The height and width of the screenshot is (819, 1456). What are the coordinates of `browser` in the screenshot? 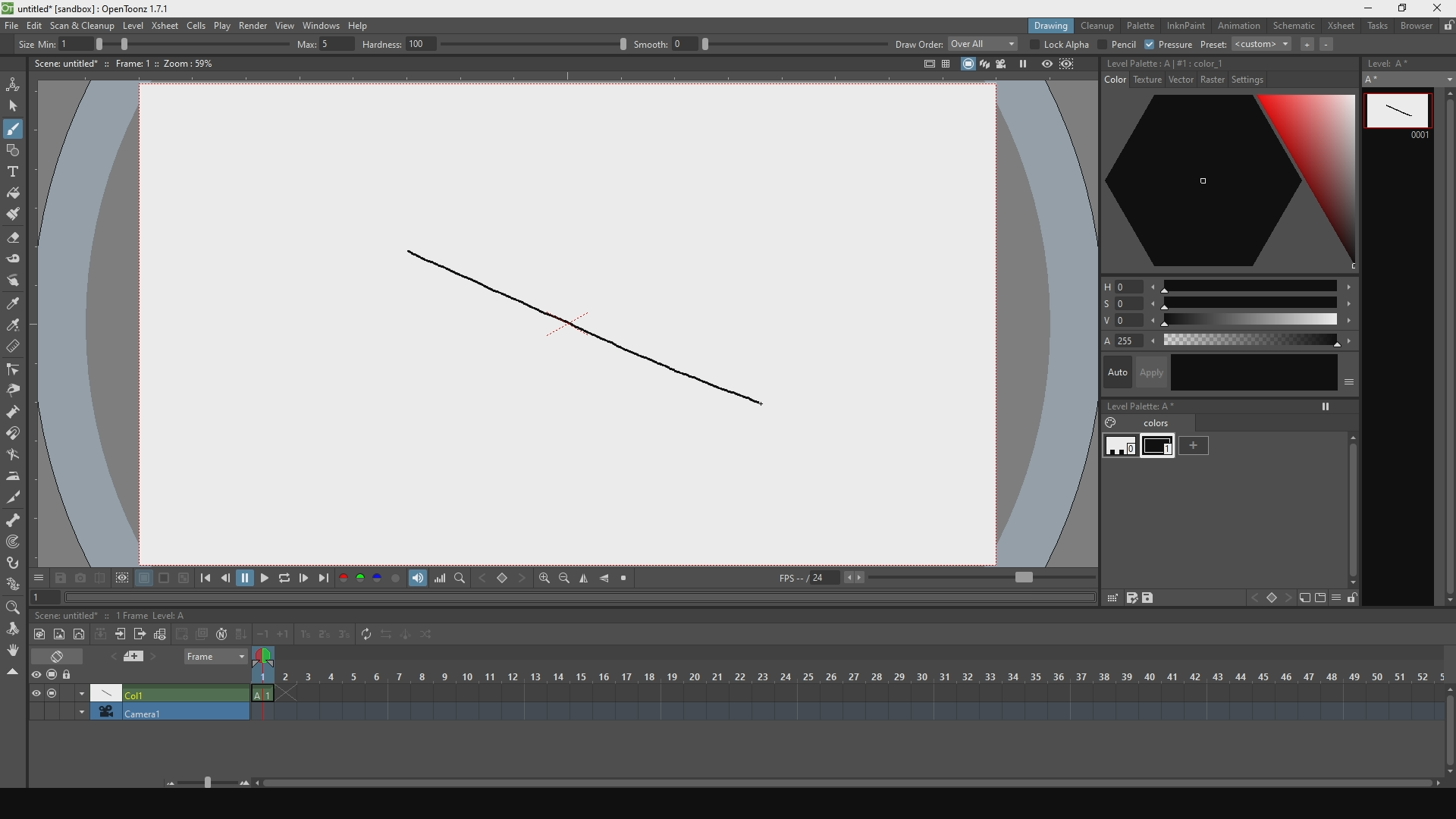 It's located at (1417, 29).